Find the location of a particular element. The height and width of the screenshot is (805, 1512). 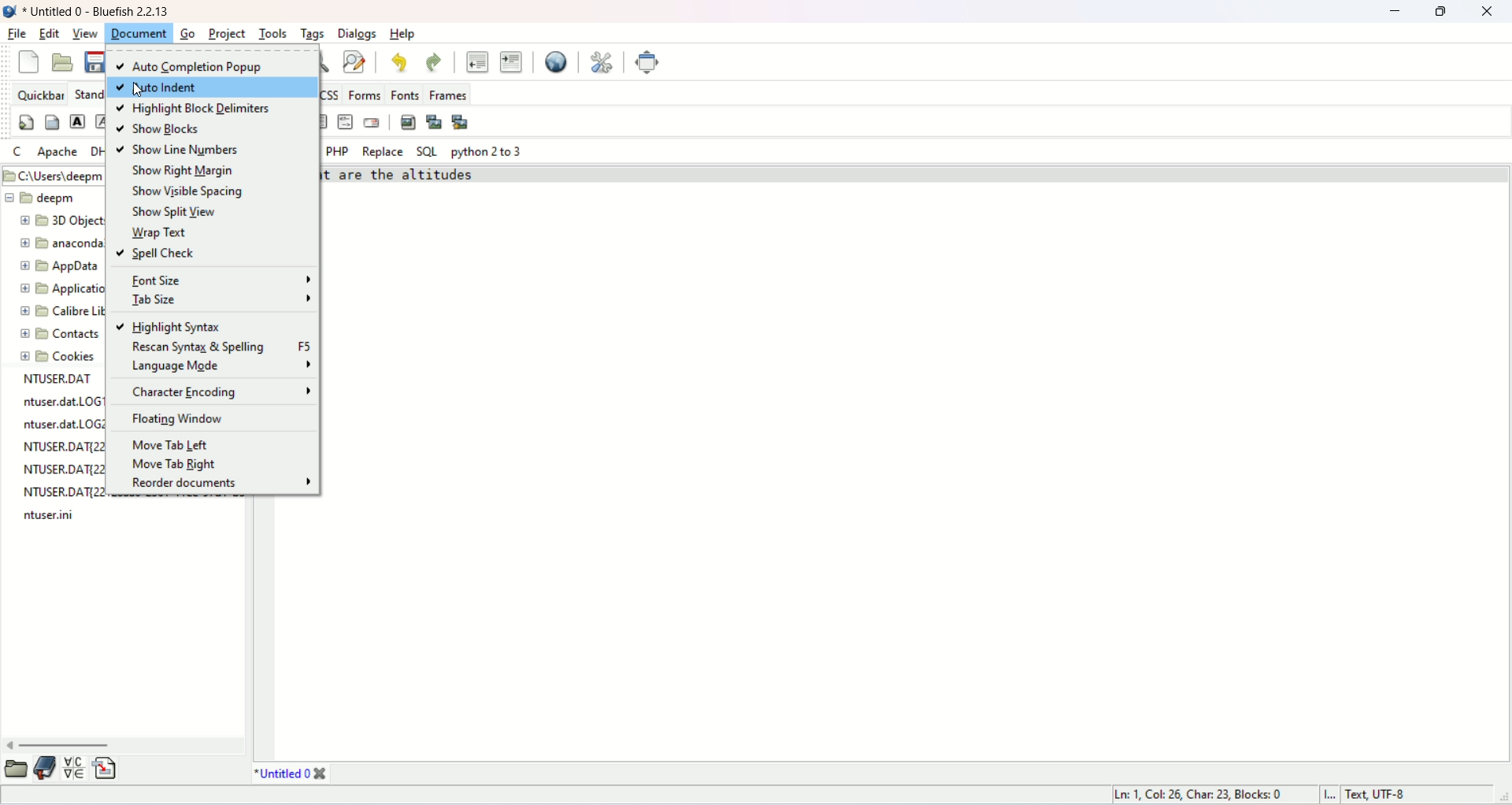

reorder documents is located at coordinates (220, 482).